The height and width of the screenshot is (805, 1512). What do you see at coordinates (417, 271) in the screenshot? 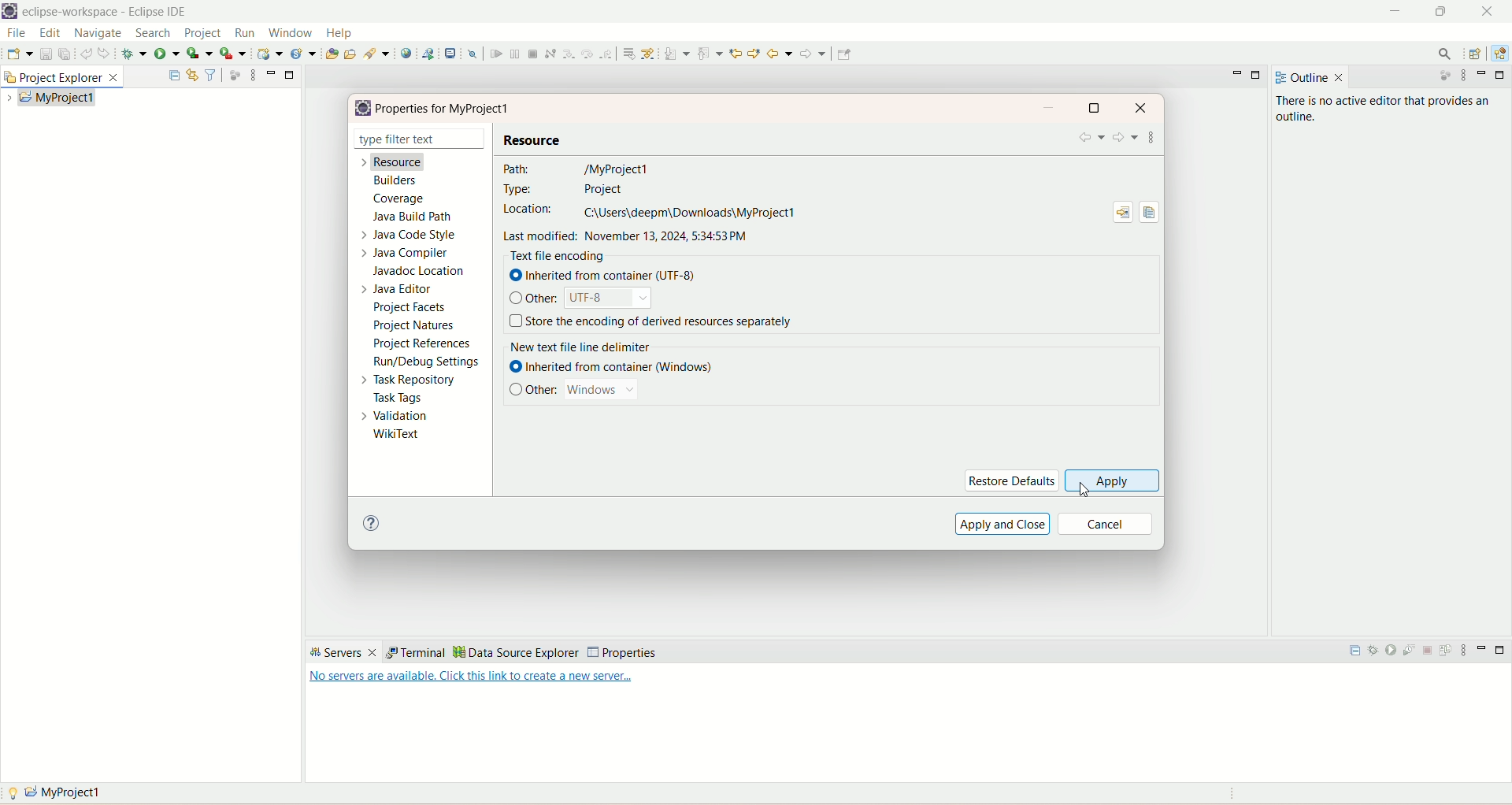
I see `javadoc location` at bounding box center [417, 271].